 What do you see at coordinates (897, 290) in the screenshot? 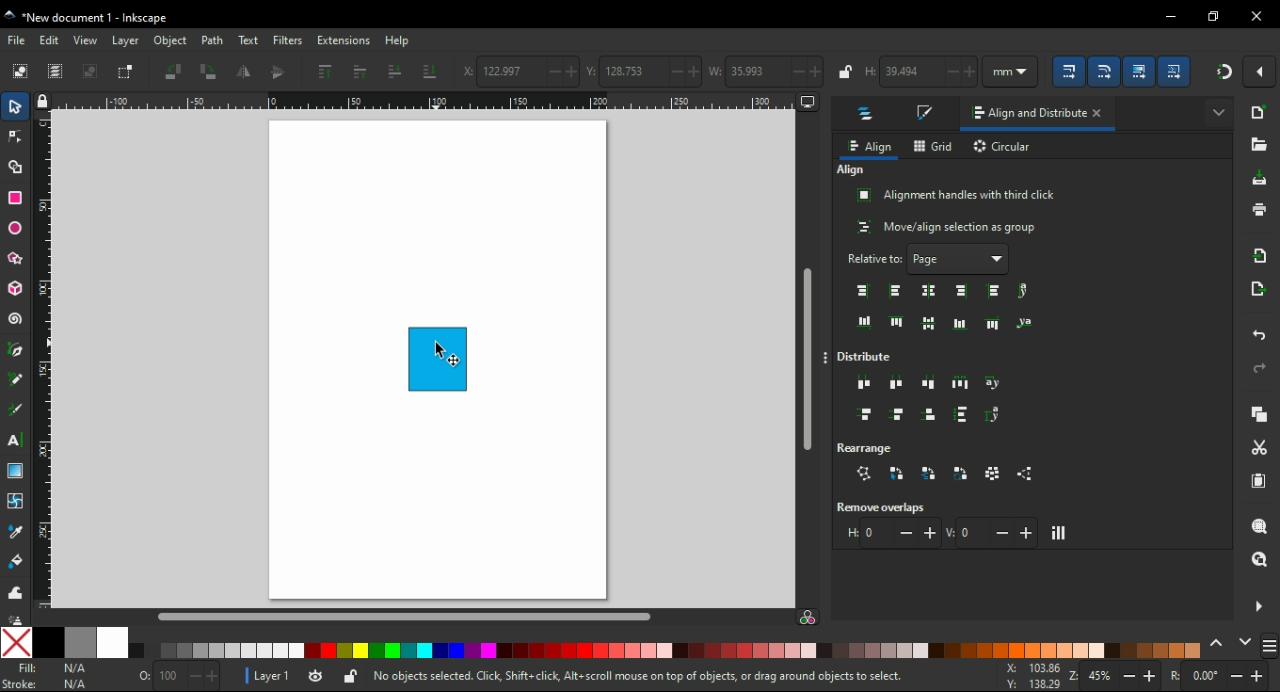
I see `align left edges` at bounding box center [897, 290].